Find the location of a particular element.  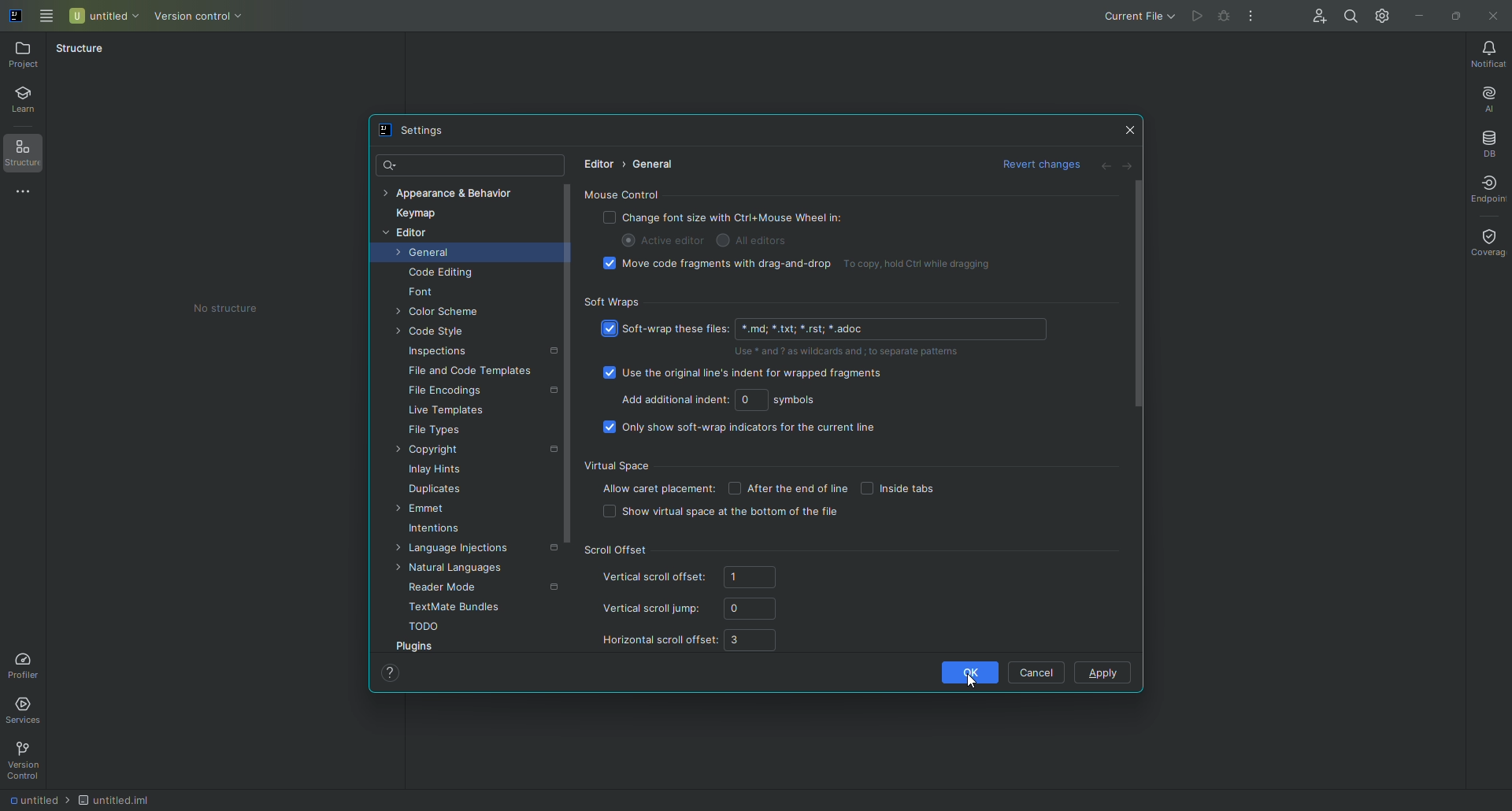

Soft wrap files is located at coordinates (836, 330).